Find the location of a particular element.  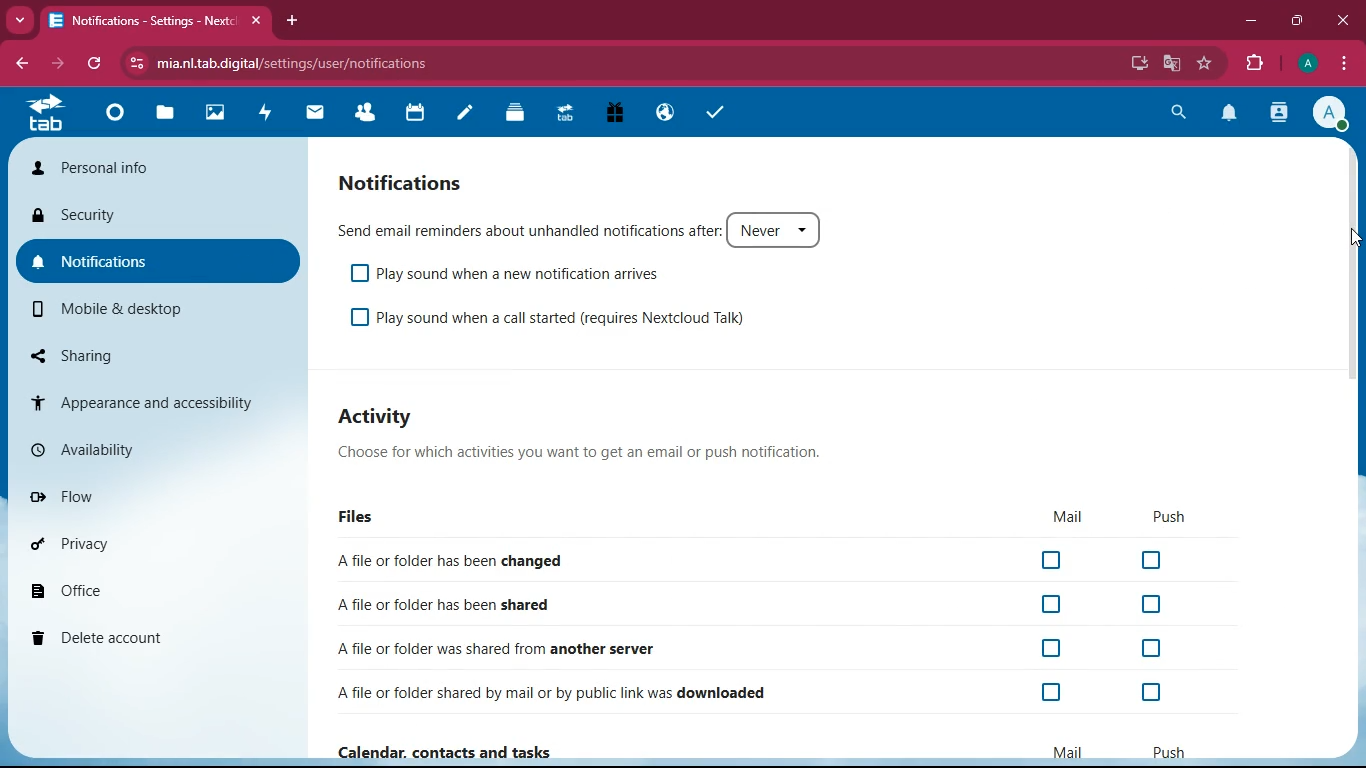

play sound when a call started (requires Nextcloud Talk) is located at coordinates (557, 319).